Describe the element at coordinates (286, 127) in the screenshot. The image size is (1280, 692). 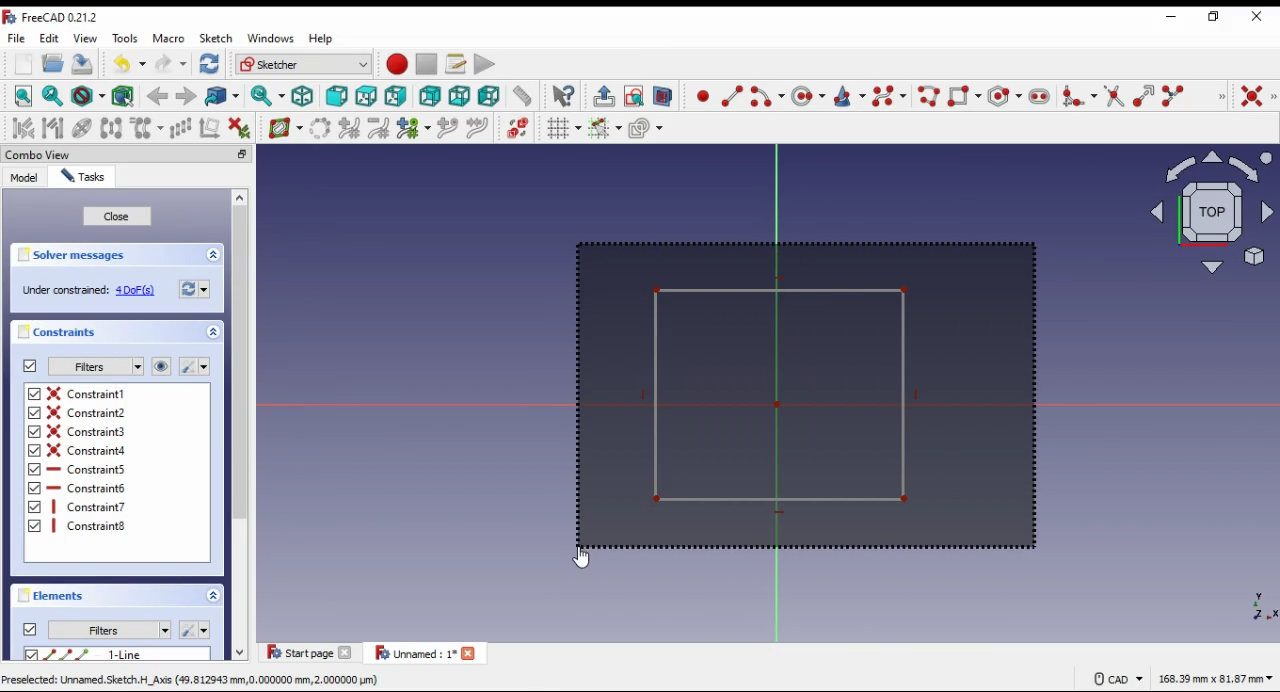
I see `shiw/hide Bspline information layer` at that location.